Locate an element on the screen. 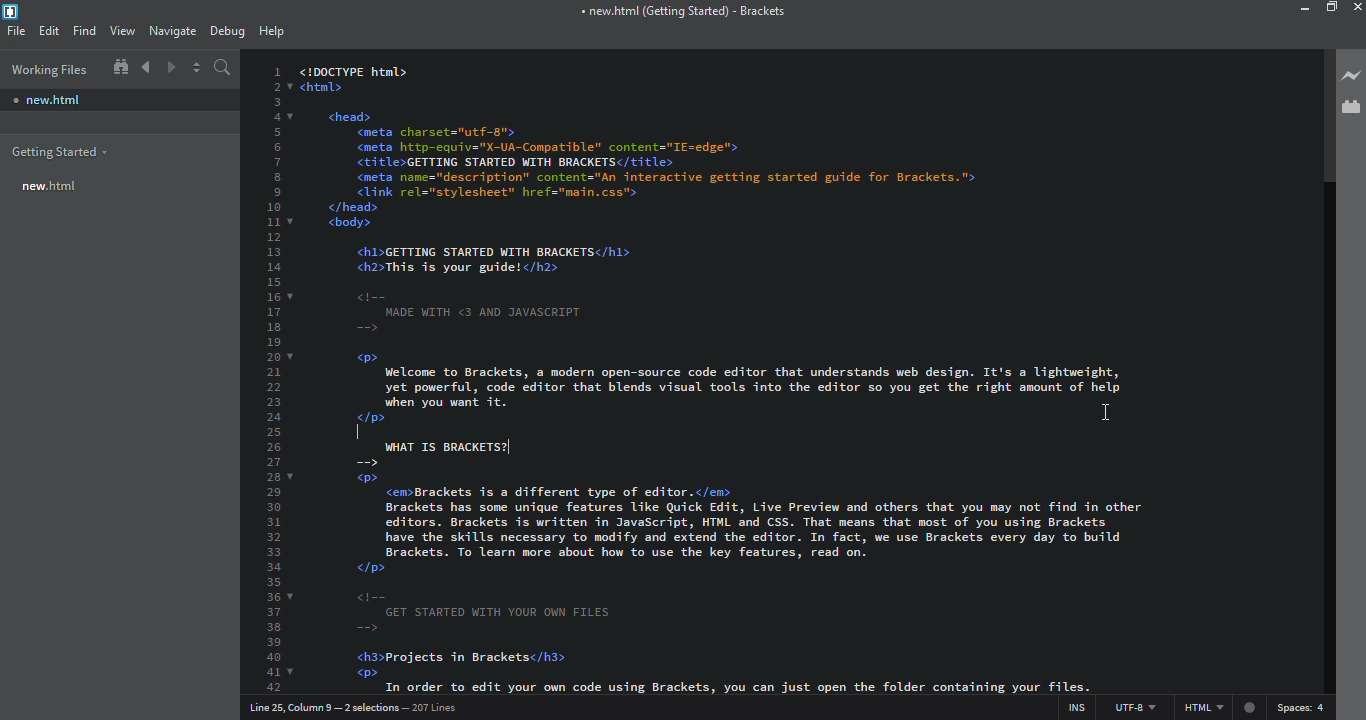  getting started is located at coordinates (61, 152).